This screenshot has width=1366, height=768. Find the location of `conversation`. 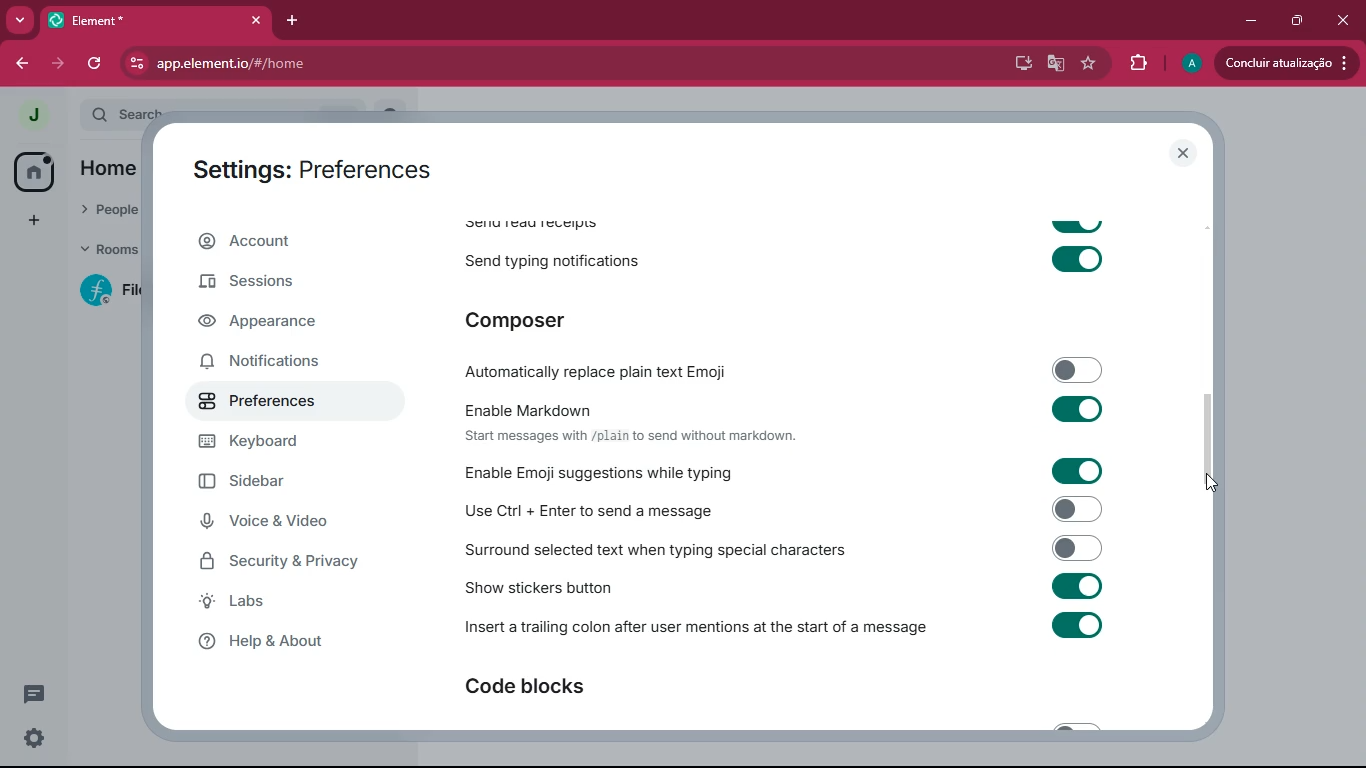

conversation is located at coordinates (38, 693).